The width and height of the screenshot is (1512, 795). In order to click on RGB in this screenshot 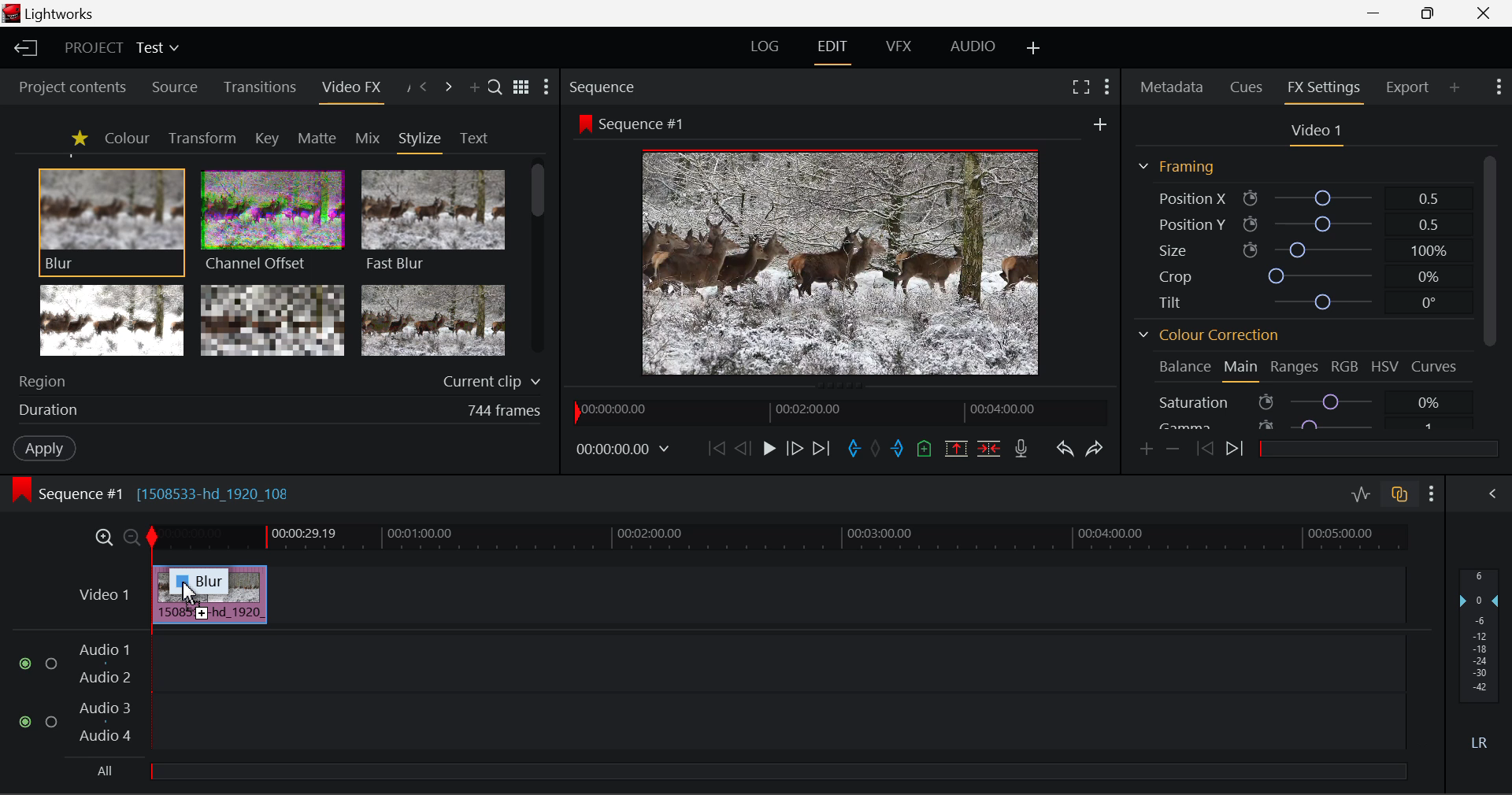, I will do `click(1345, 367)`.